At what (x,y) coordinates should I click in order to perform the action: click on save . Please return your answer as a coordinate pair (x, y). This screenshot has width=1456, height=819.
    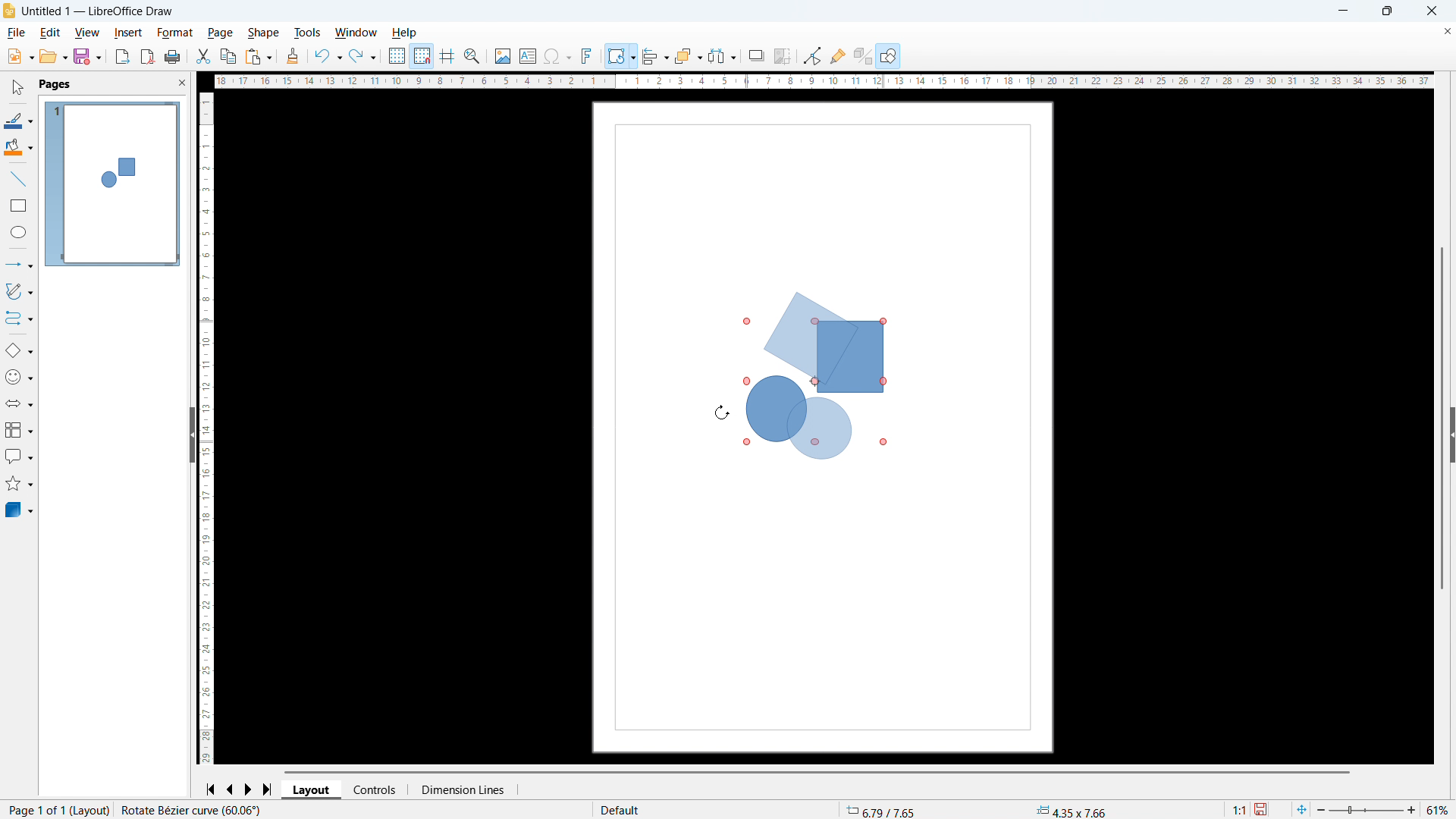
    Looking at the image, I should click on (89, 57).